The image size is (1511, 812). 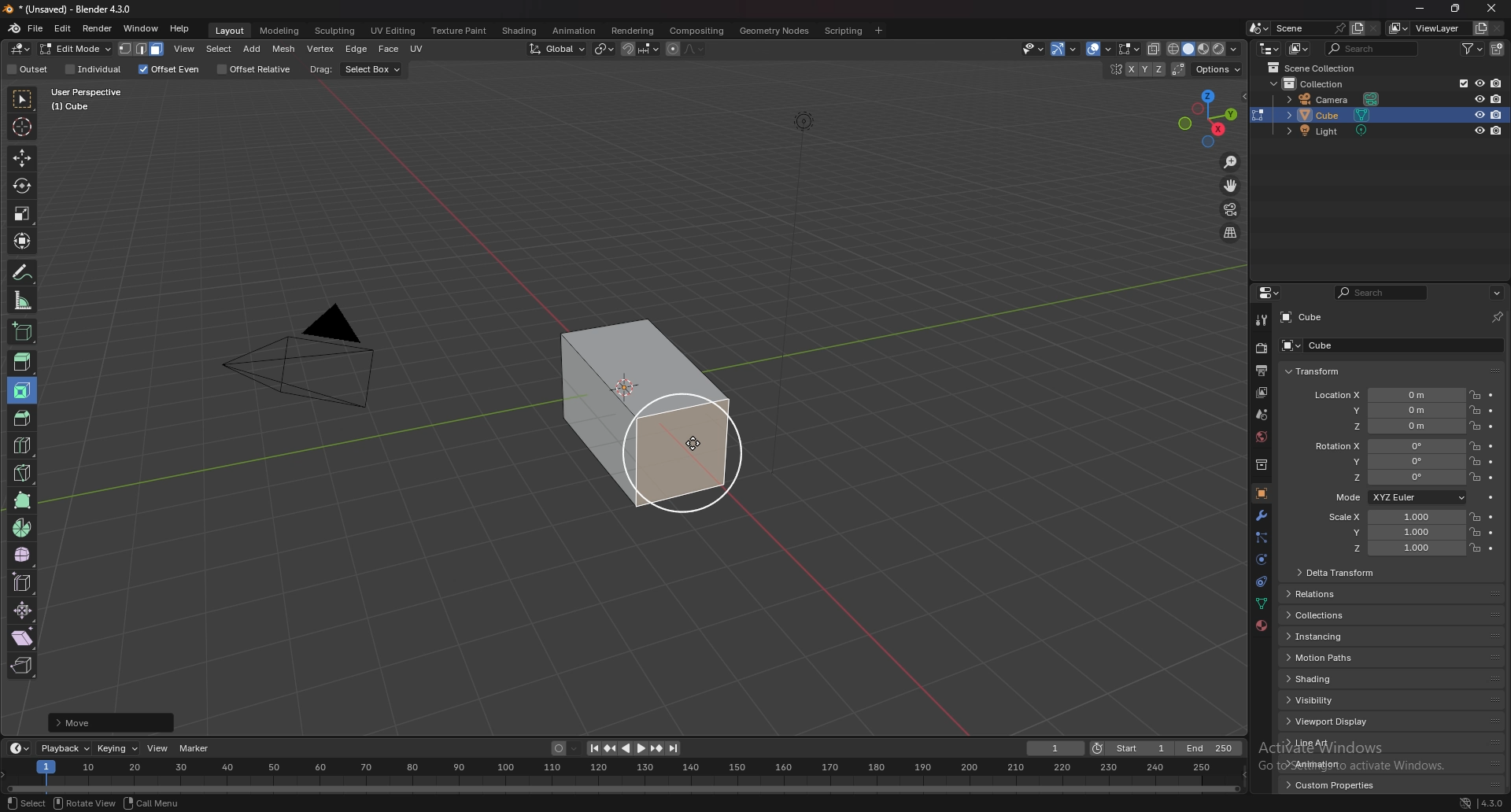 I want to click on spin, so click(x=23, y=528).